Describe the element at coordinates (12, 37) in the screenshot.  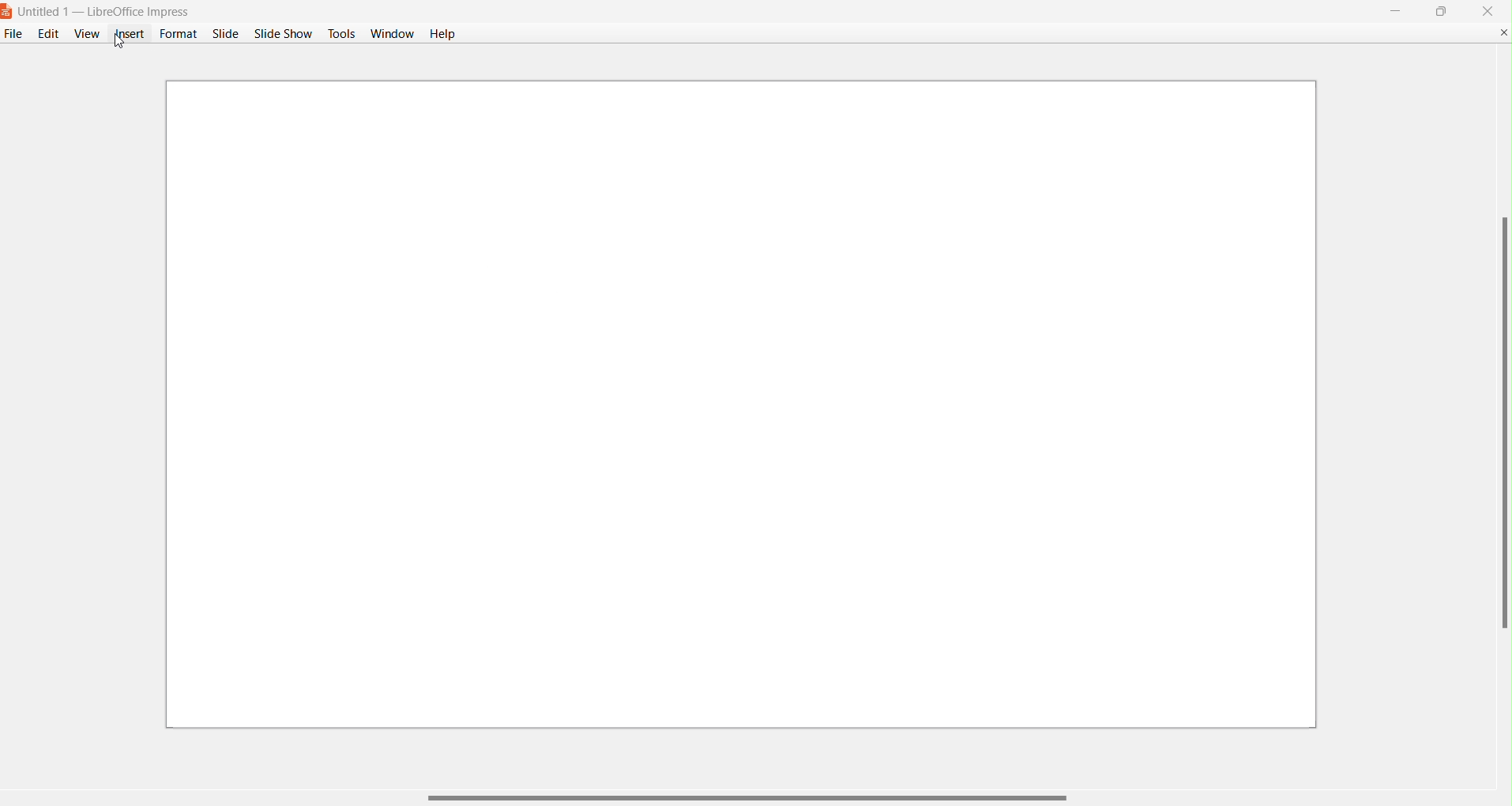
I see `File` at that location.